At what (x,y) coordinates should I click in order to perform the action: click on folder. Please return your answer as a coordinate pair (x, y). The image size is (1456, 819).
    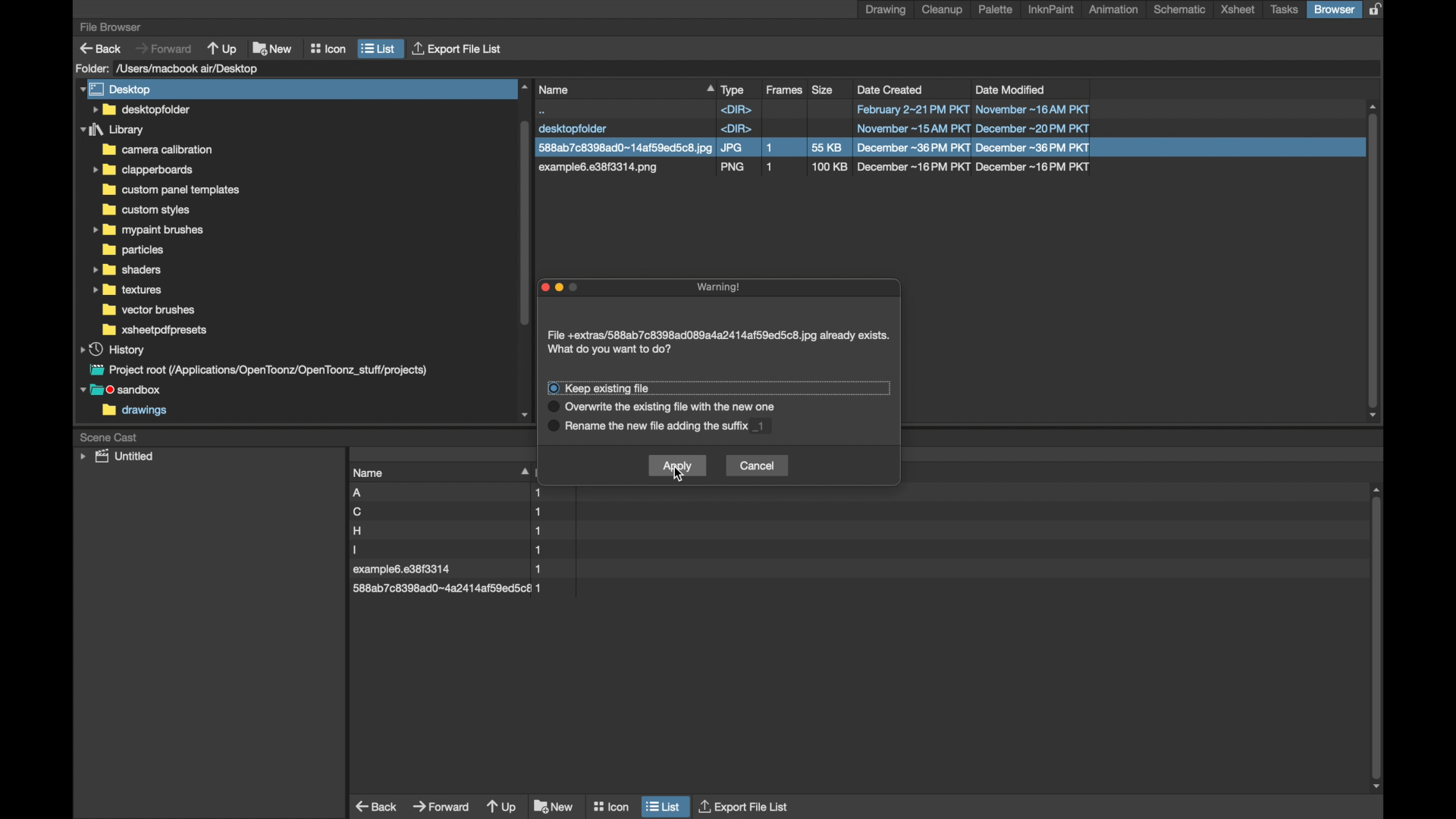
    Looking at the image, I should click on (127, 269).